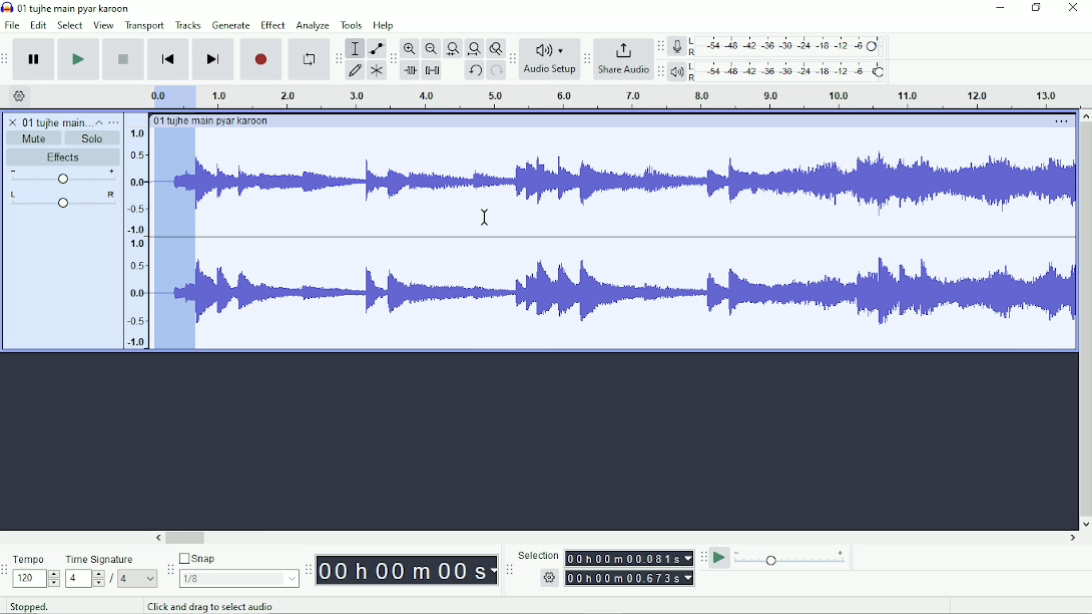  Describe the element at coordinates (1037, 8) in the screenshot. I see `Restore down` at that location.